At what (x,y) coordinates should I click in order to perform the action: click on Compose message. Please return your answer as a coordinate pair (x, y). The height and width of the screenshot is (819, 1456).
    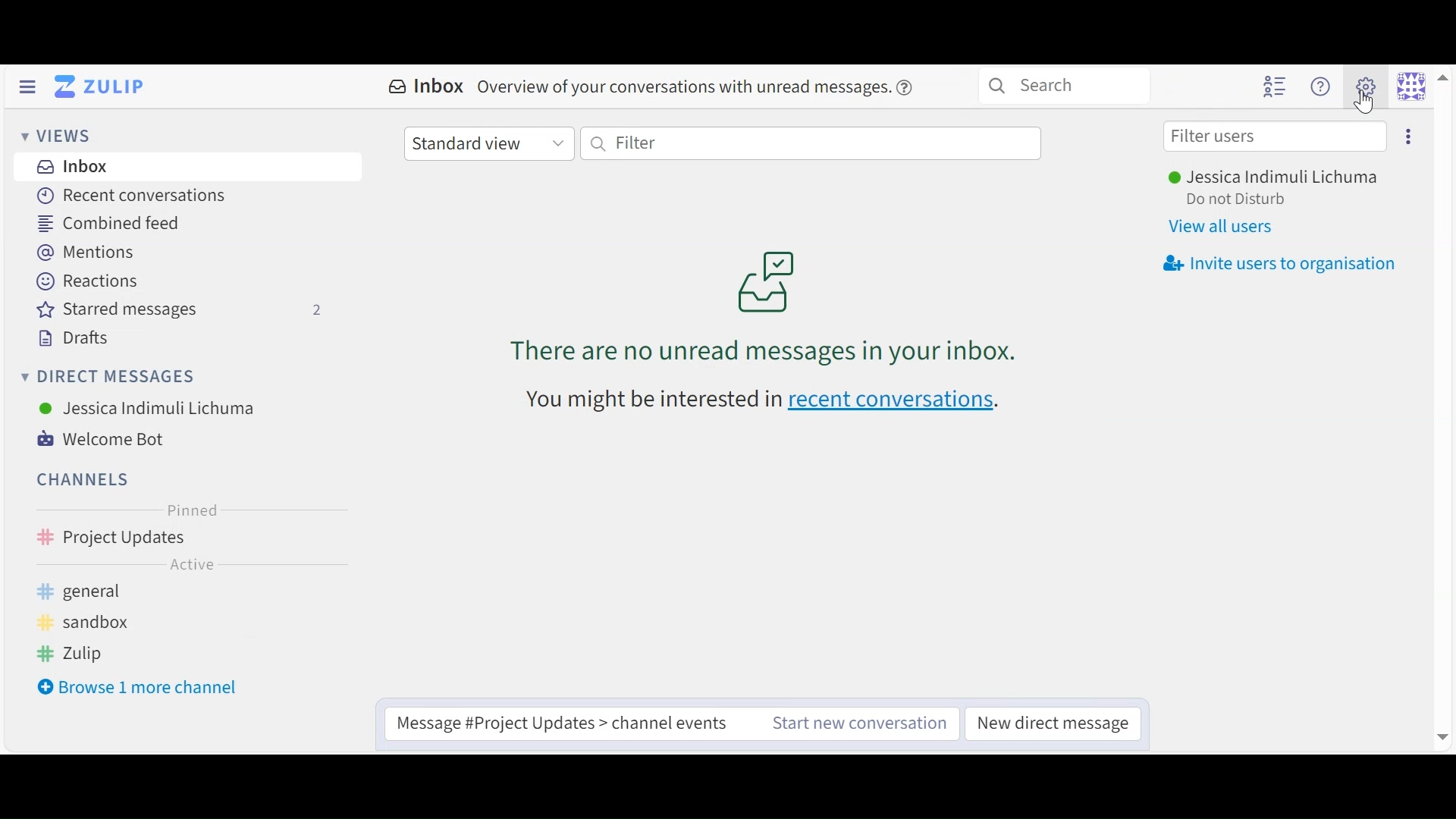
    Looking at the image, I should click on (566, 724).